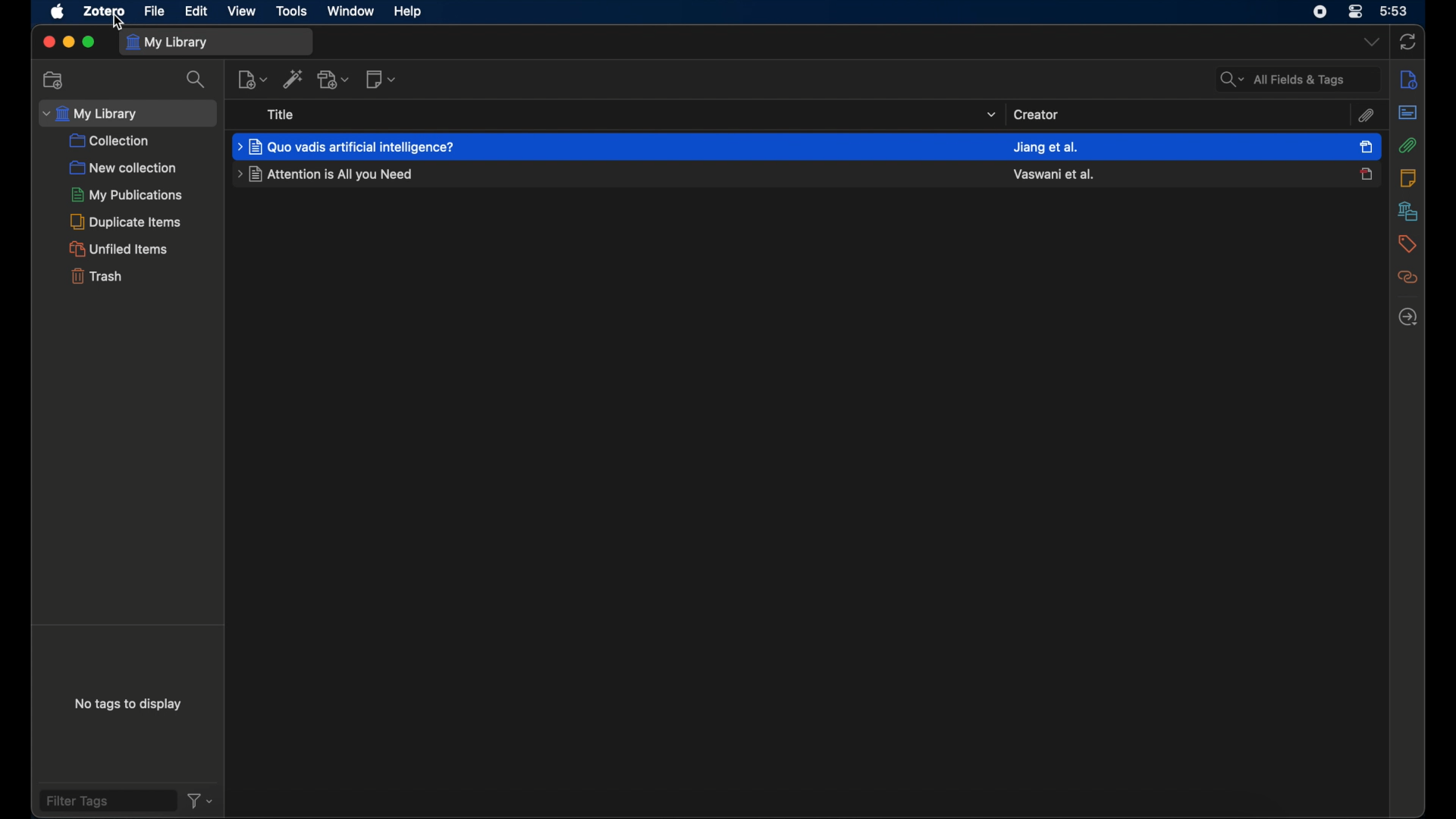  Describe the element at coordinates (57, 12) in the screenshot. I see `apple icon` at that location.